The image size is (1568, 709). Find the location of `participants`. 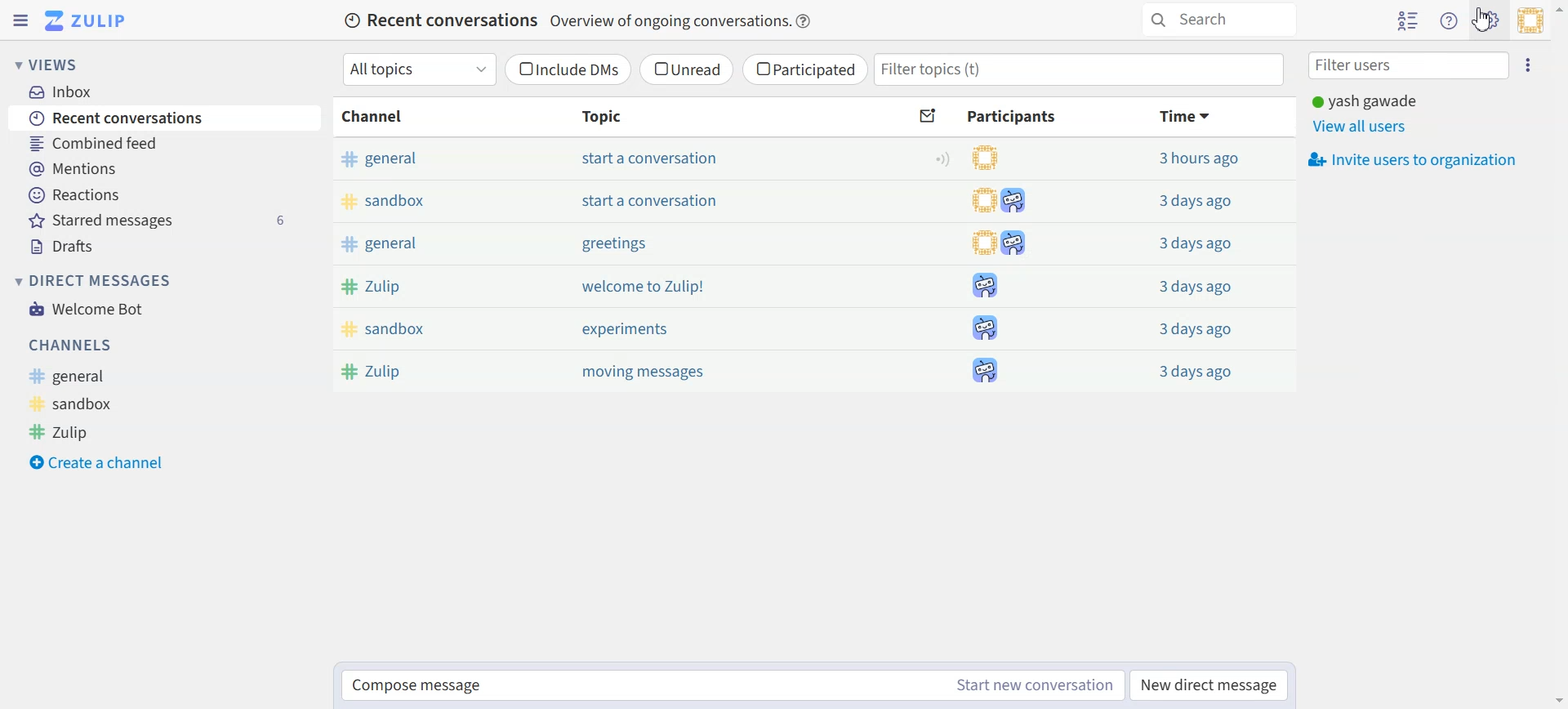

participants is located at coordinates (1002, 243).